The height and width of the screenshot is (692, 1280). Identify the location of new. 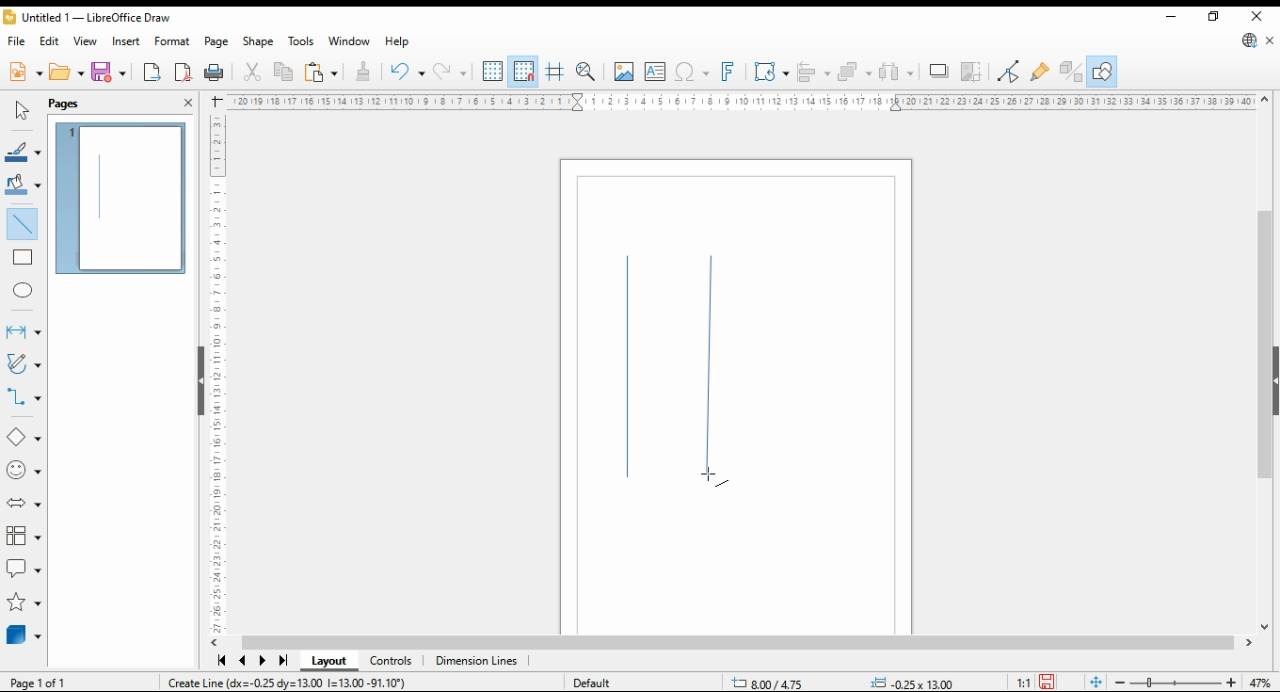
(24, 74).